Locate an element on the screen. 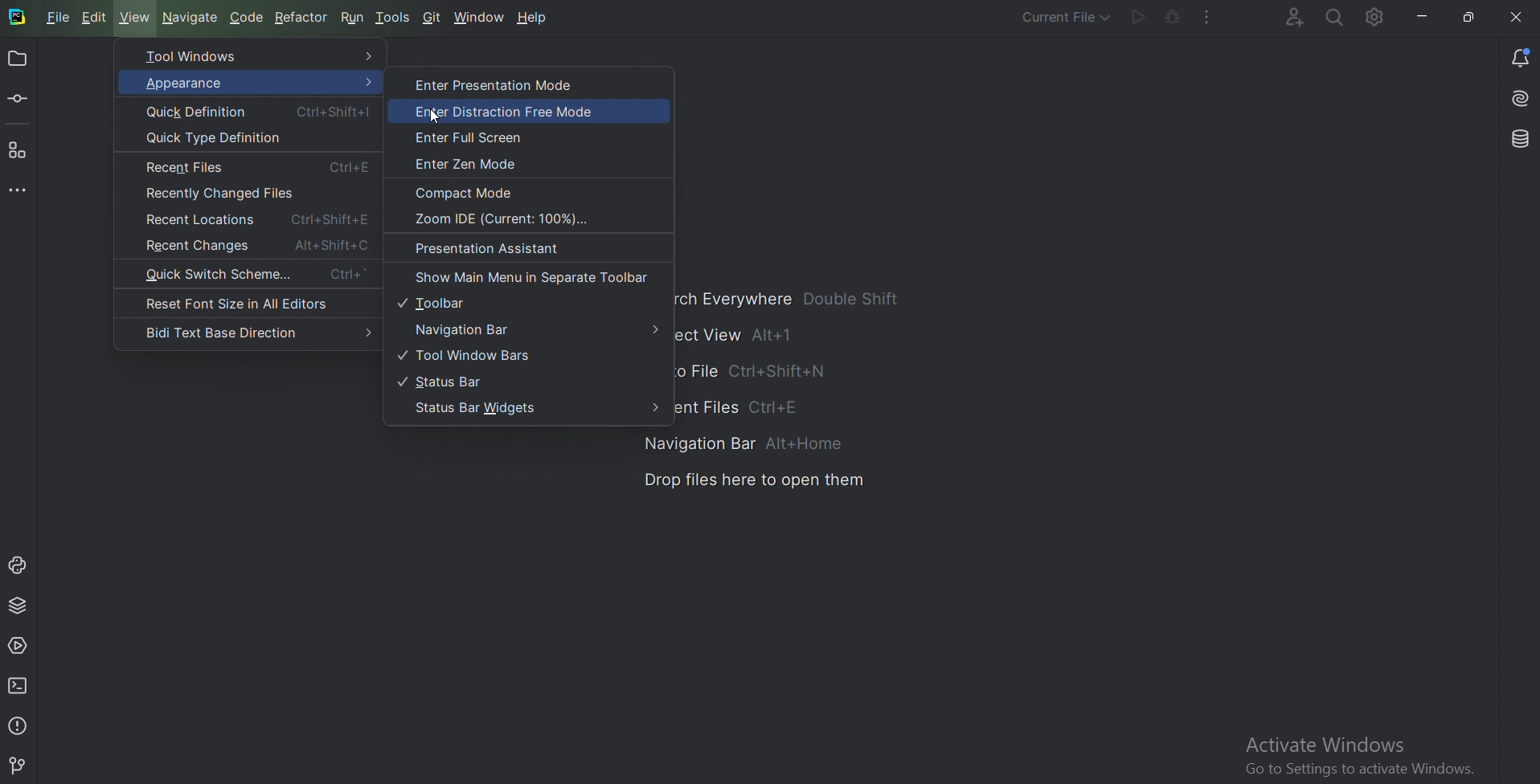  Zoom IDE is located at coordinates (508, 219).